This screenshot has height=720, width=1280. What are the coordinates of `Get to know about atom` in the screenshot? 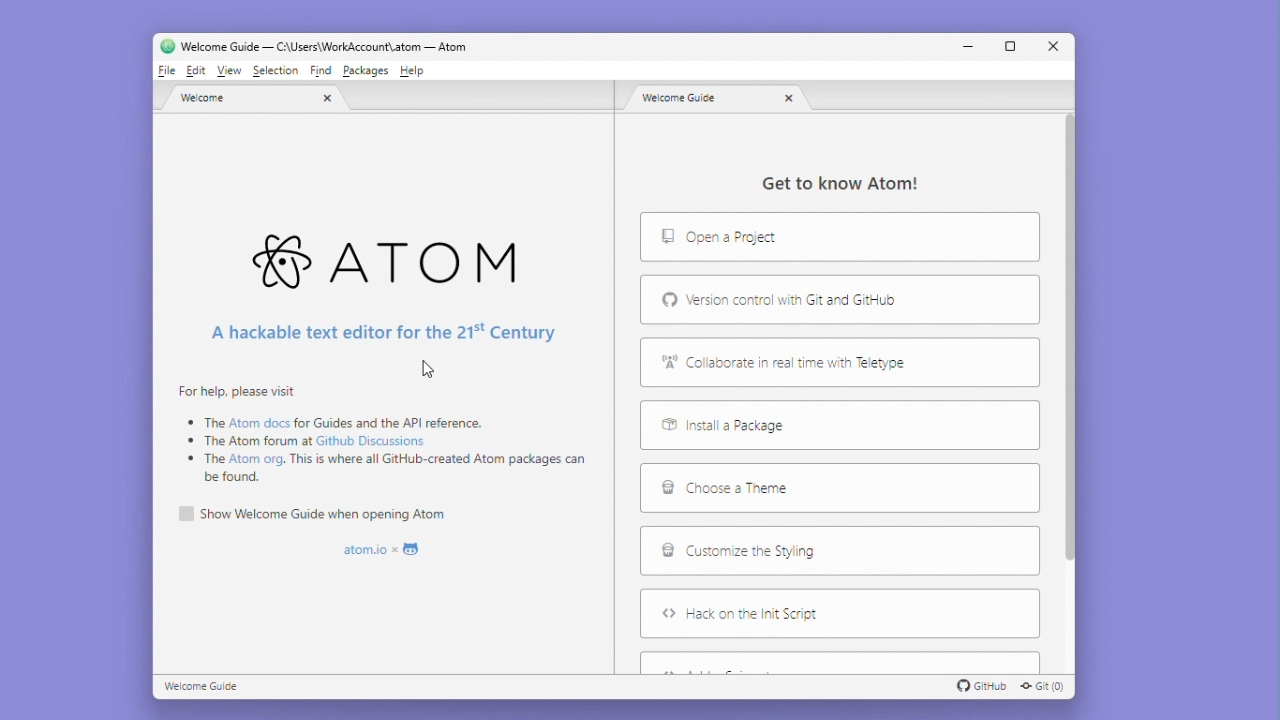 It's located at (857, 185).